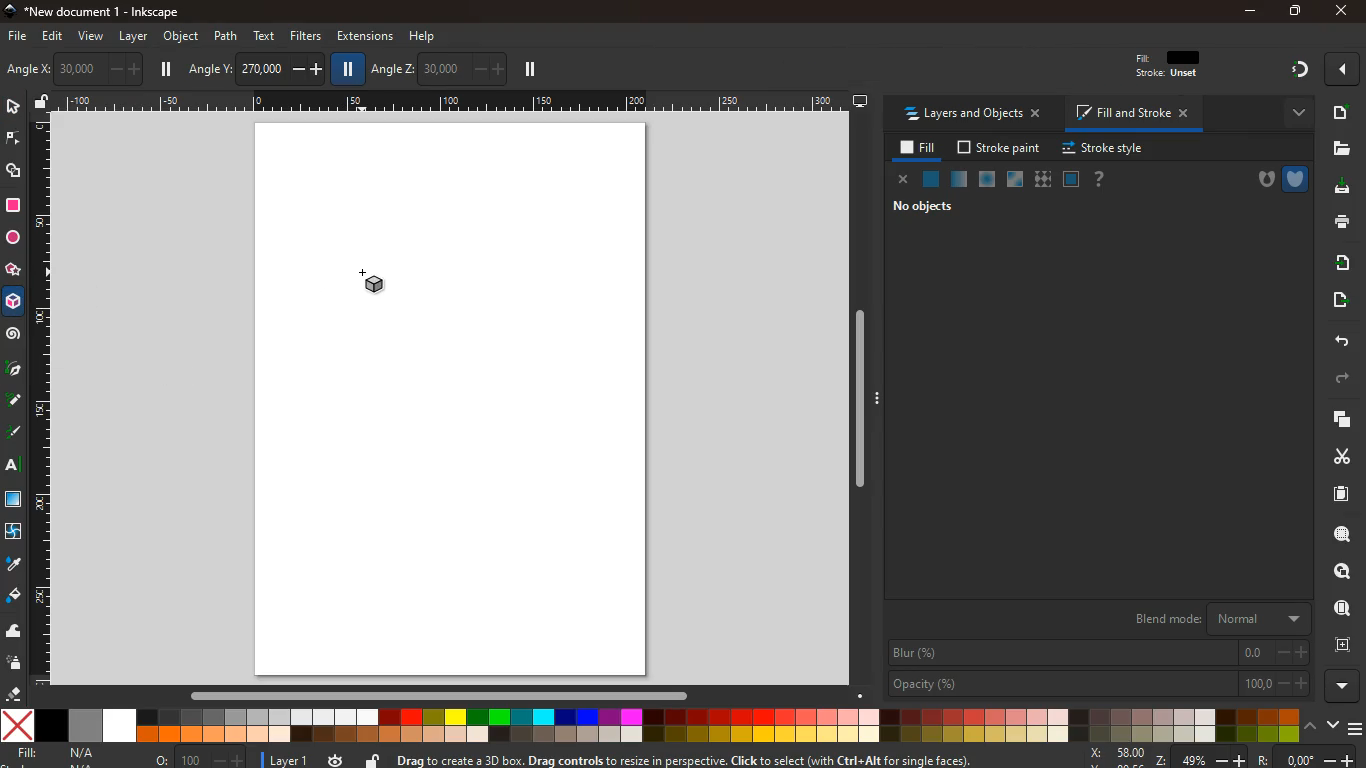 The height and width of the screenshot is (768, 1366). What do you see at coordinates (14, 271) in the screenshot?
I see `star` at bounding box center [14, 271].